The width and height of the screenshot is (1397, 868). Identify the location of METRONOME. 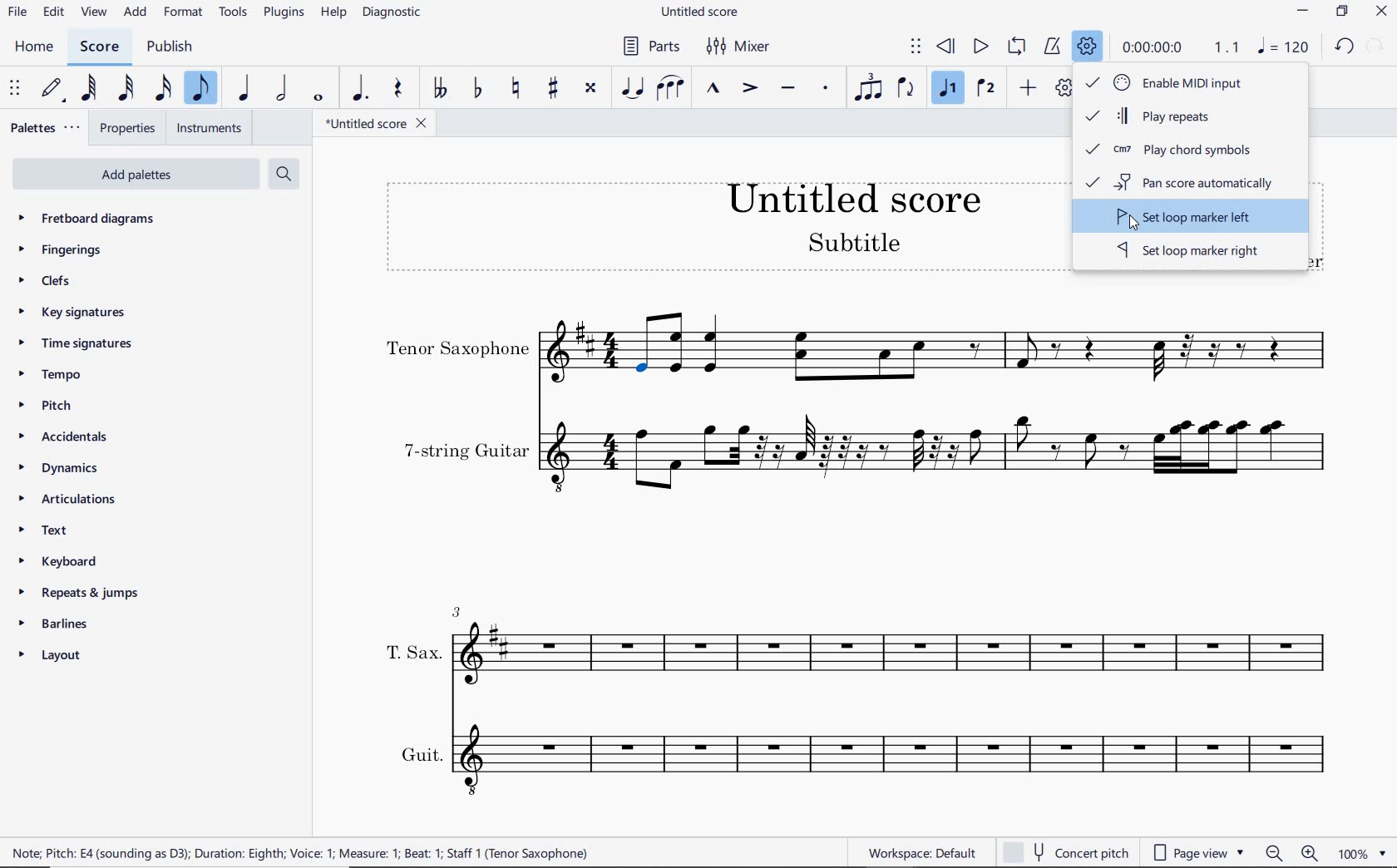
(1052, 45).